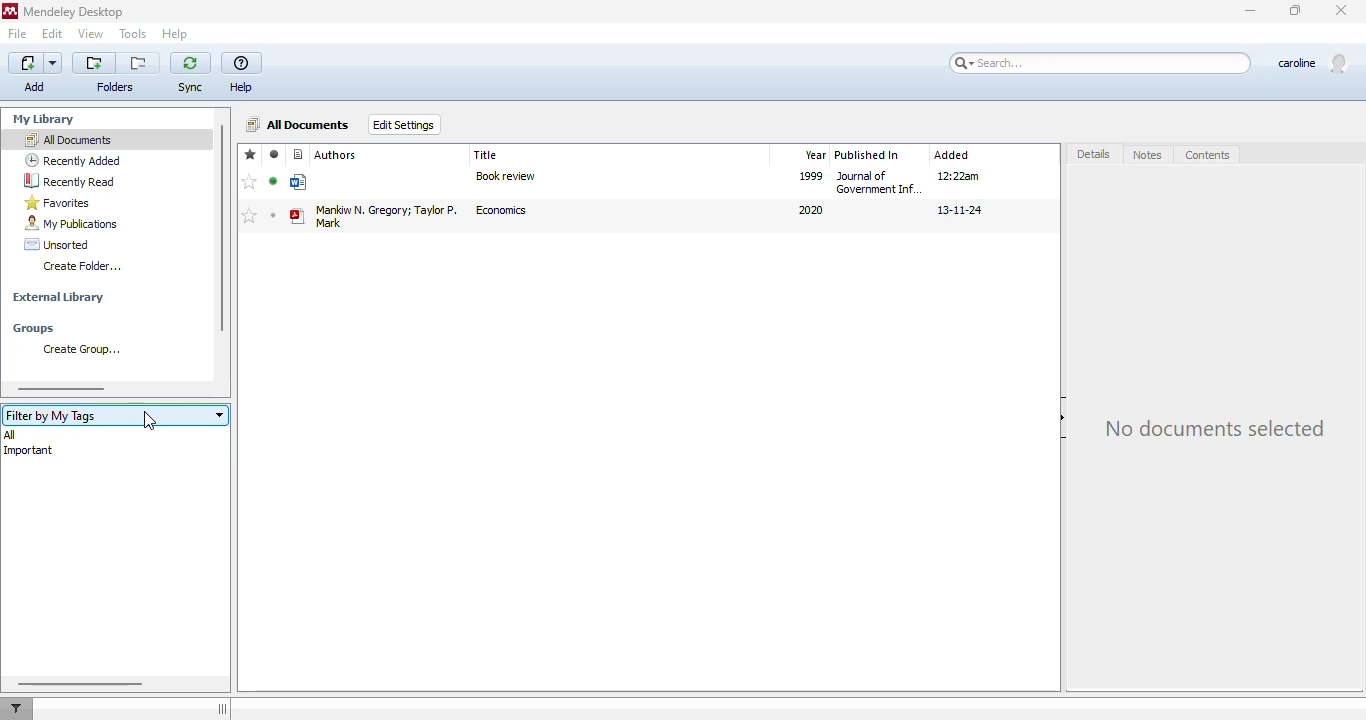  I want to click on mendeley desktop, so click(75, 11).